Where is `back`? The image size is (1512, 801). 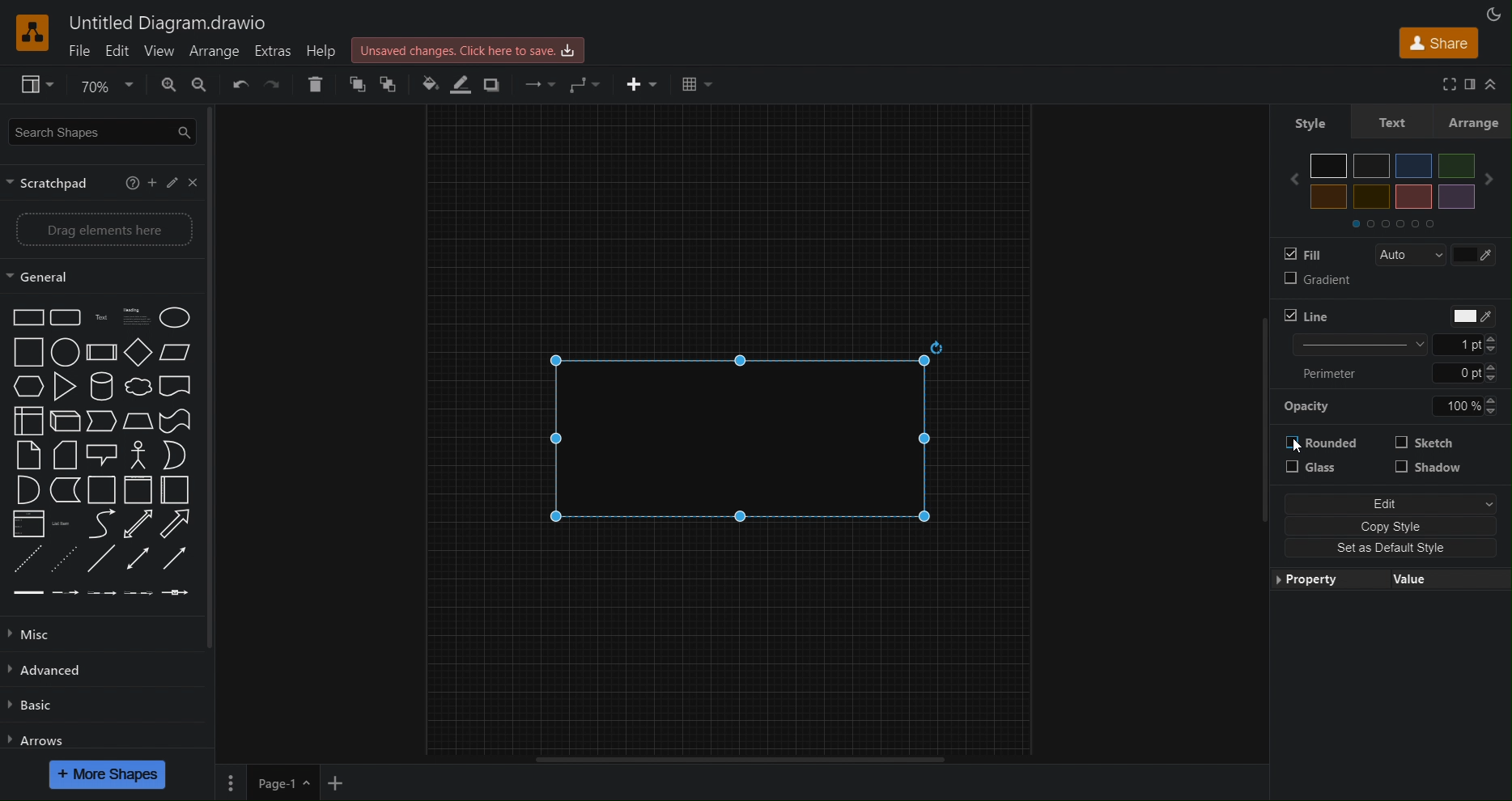 back is located at coordinates (1290, 179).